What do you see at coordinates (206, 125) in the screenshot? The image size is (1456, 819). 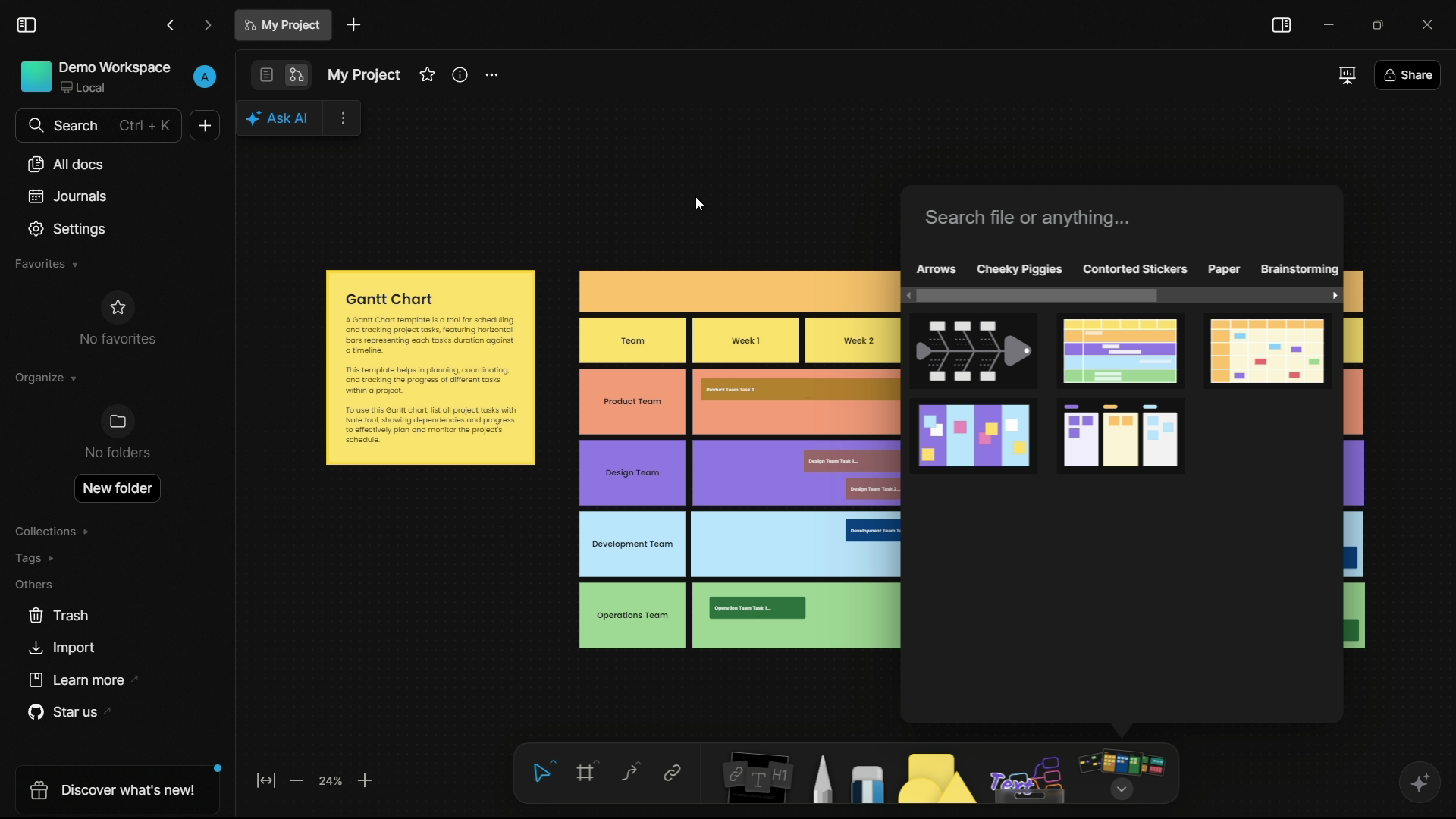 I see `new document` at bounding box center [206, 125].